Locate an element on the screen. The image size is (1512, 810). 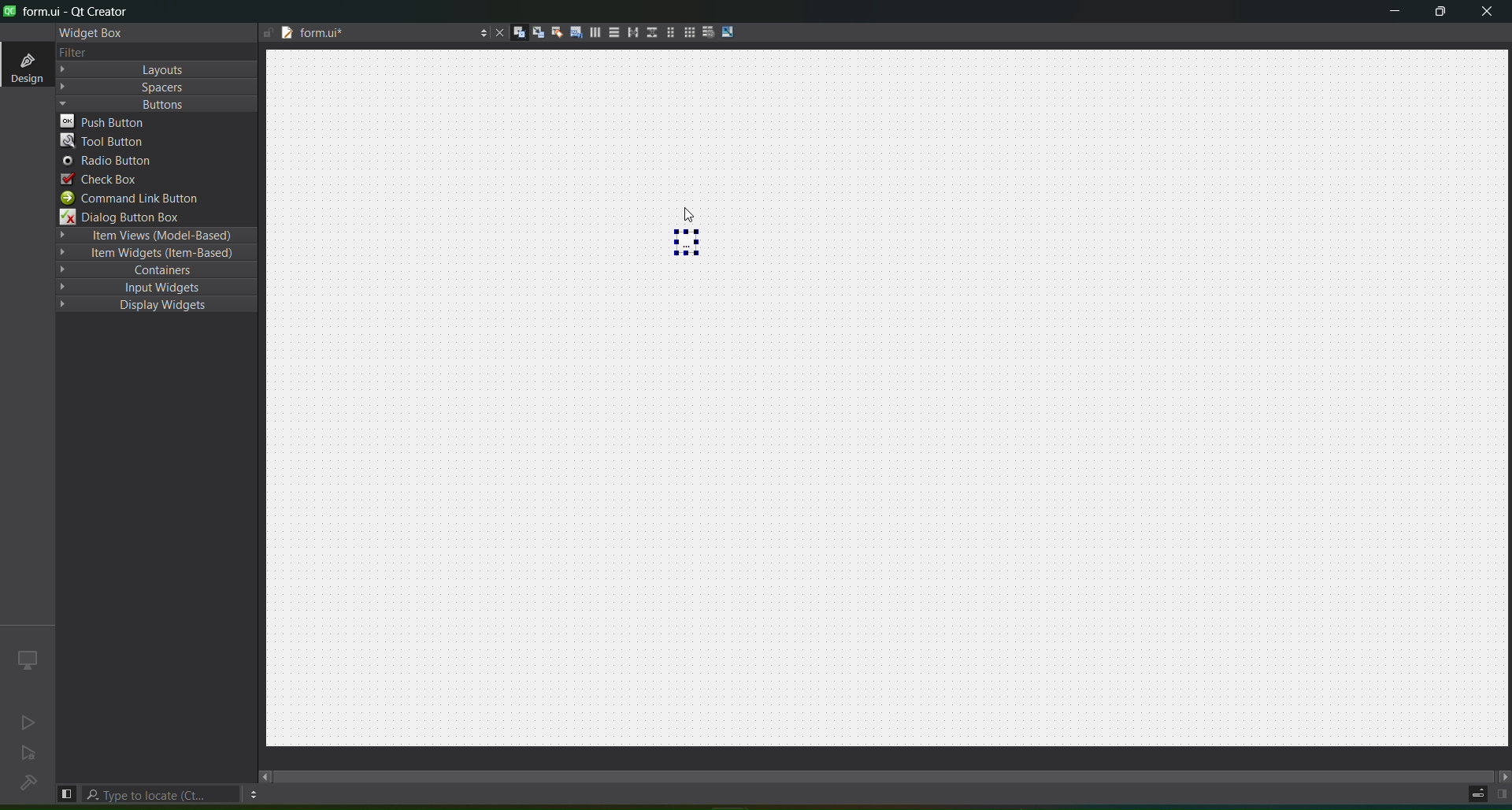
Item Views is located at coordinates (157, 235).